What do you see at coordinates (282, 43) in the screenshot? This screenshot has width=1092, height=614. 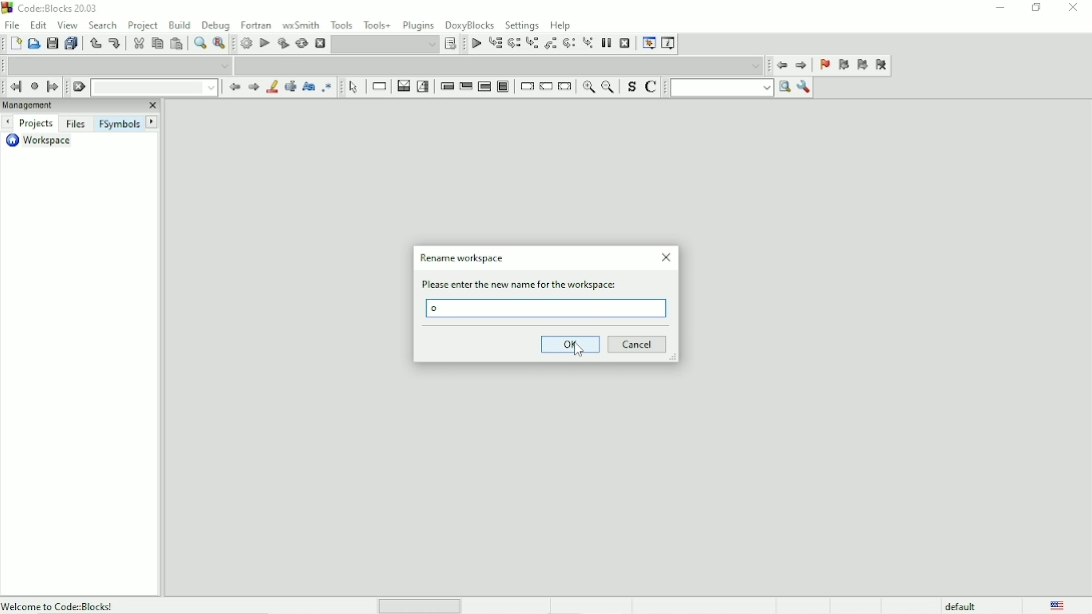 I see `Build and run` at bounding box center [282, 43].